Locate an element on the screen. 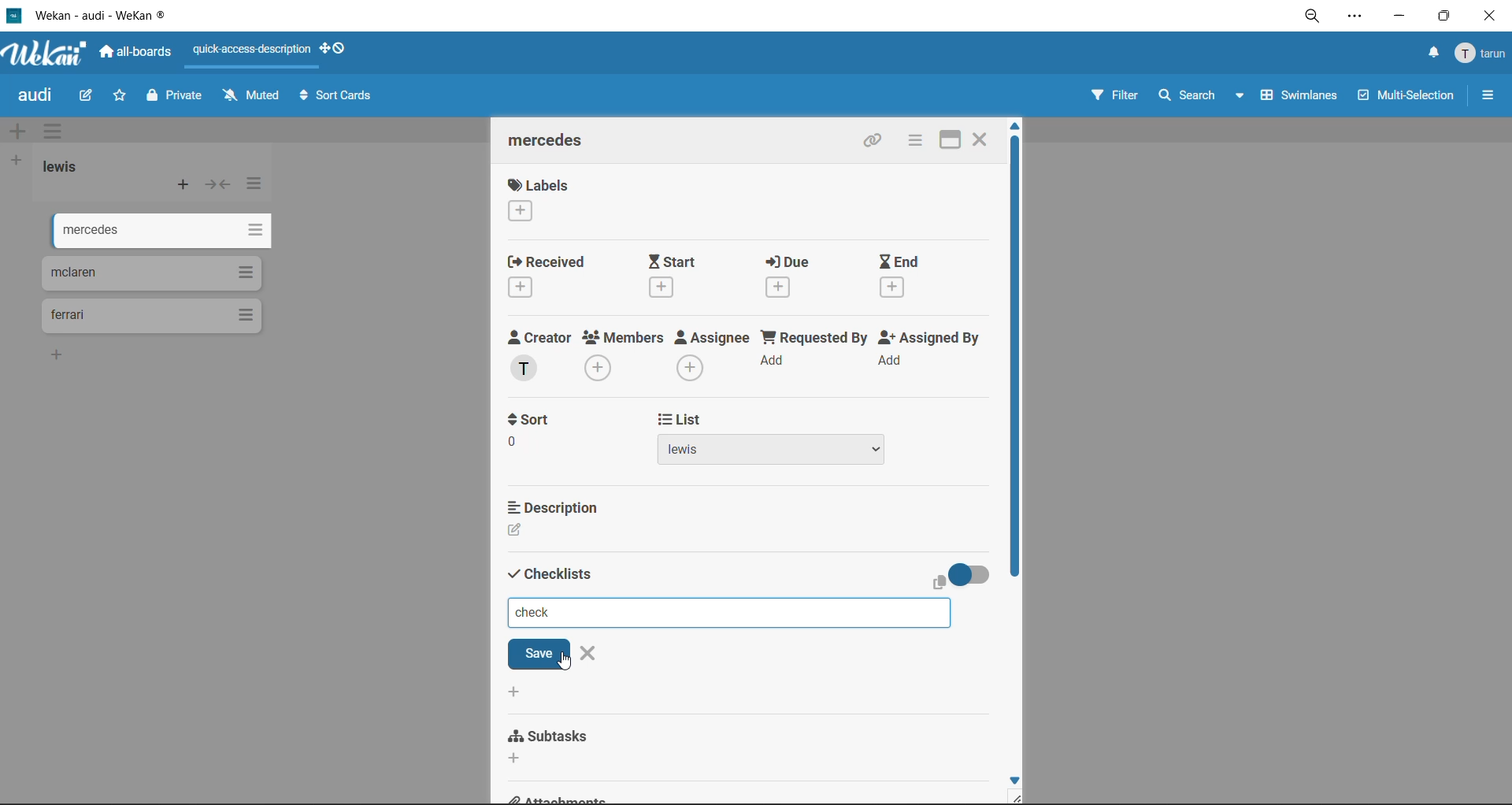 The width and height of the screenshot is (1512, 805). sort is located at coordinates (546, 451).